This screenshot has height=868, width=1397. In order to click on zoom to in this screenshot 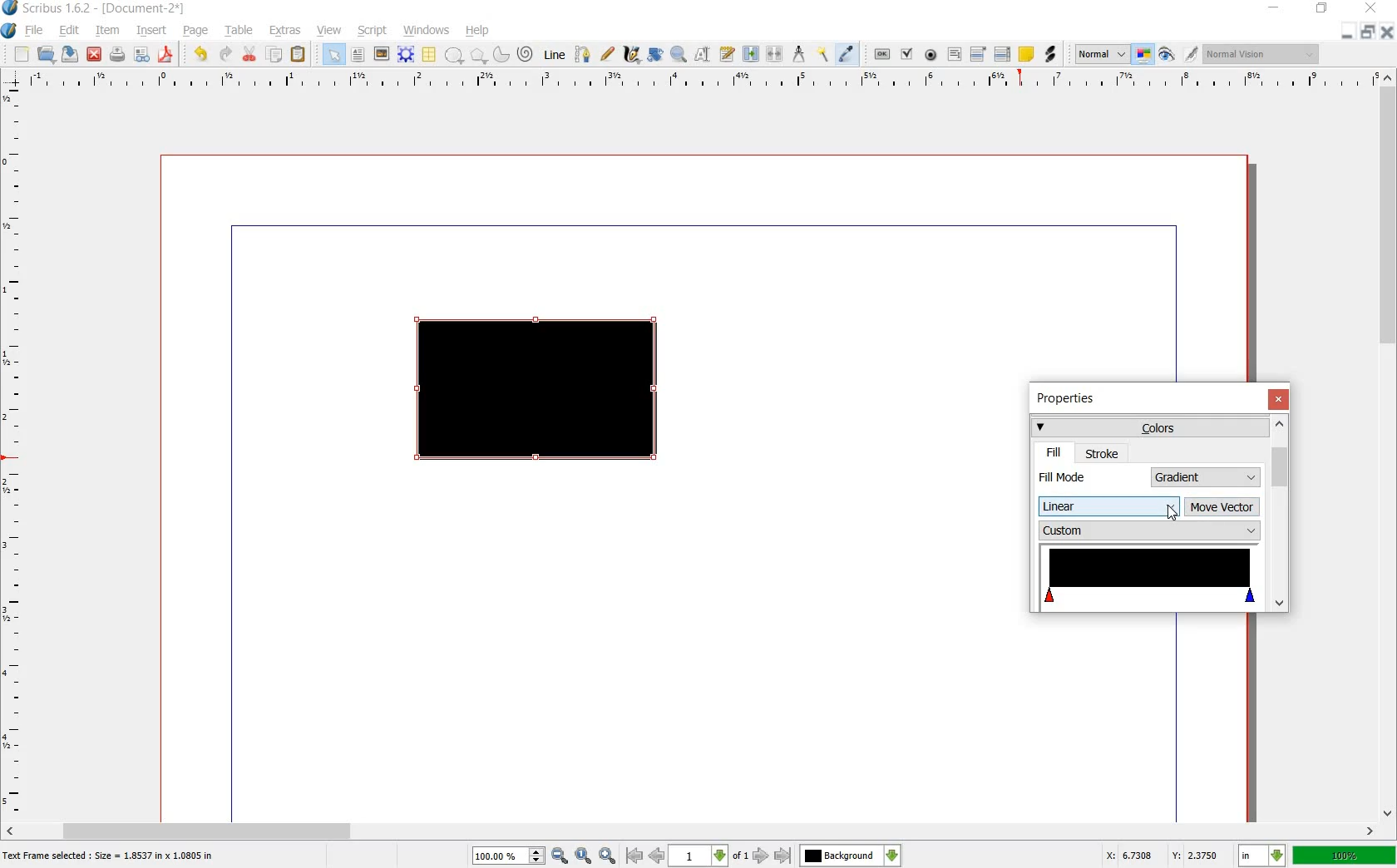, I will do `click(584, 856)`.